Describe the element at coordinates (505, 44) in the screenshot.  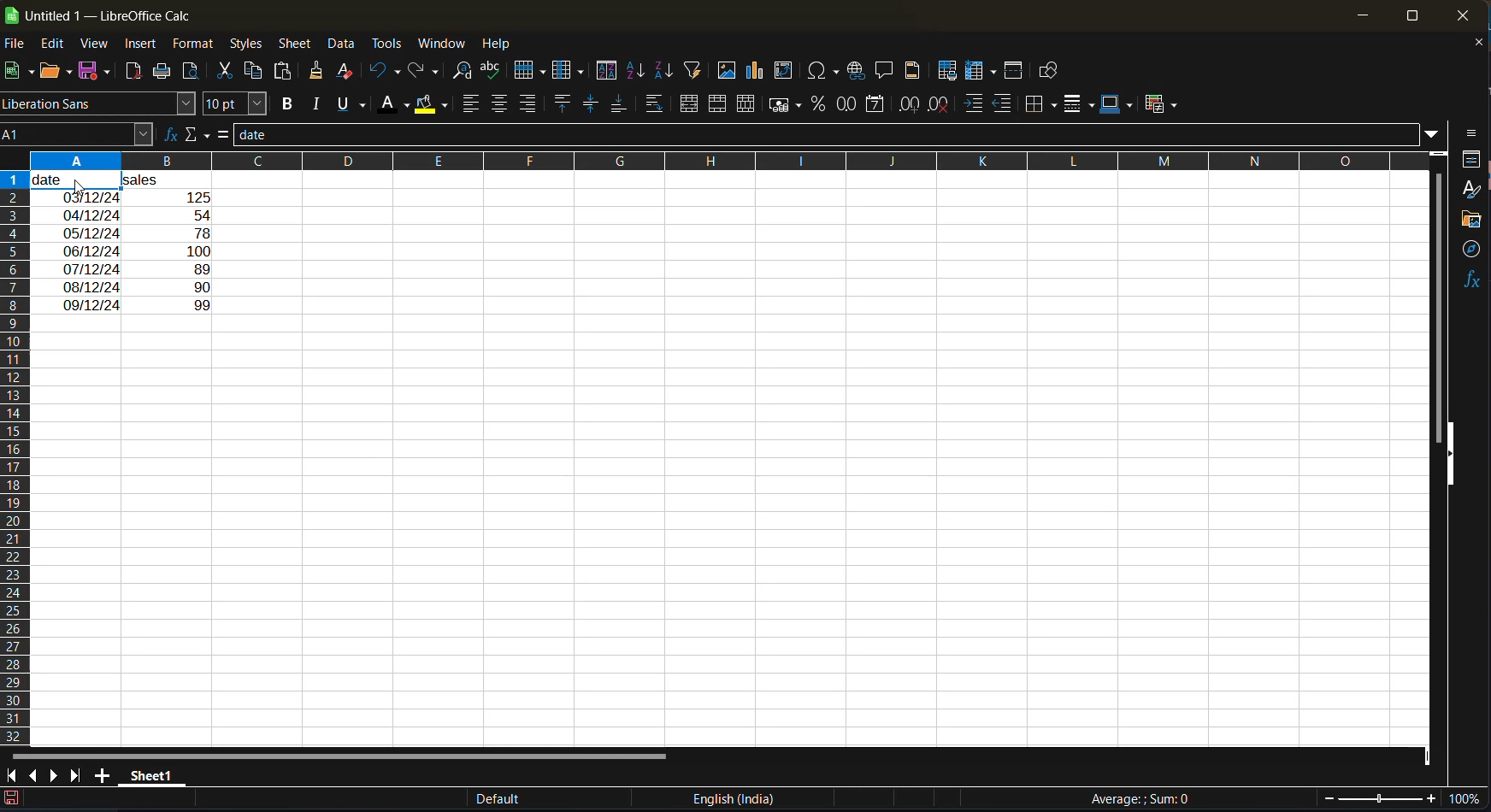
I see `help` at that location.